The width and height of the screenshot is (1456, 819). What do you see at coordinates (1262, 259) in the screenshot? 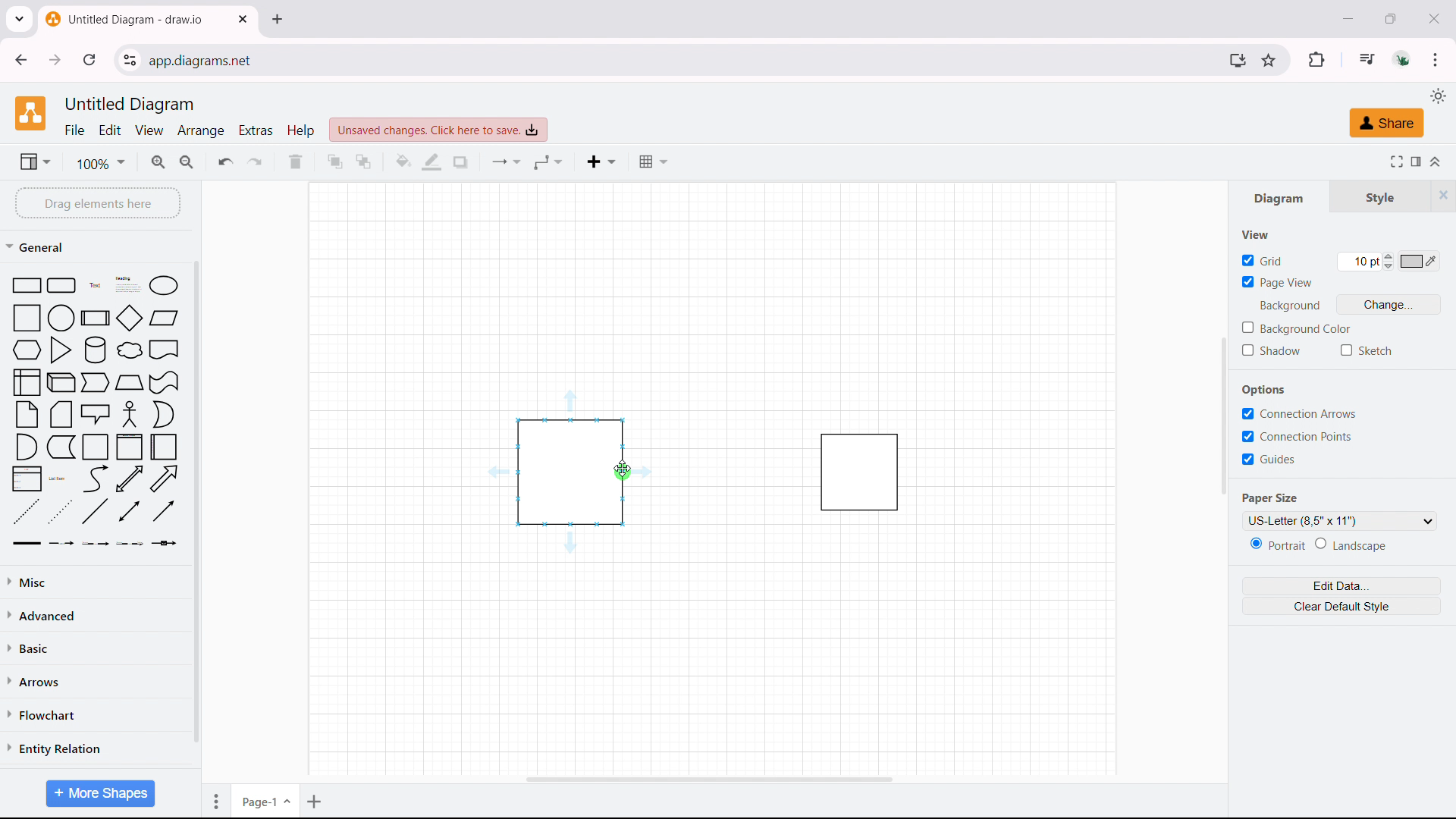
I see `grid toggle` at bounding box center [1262, 259].